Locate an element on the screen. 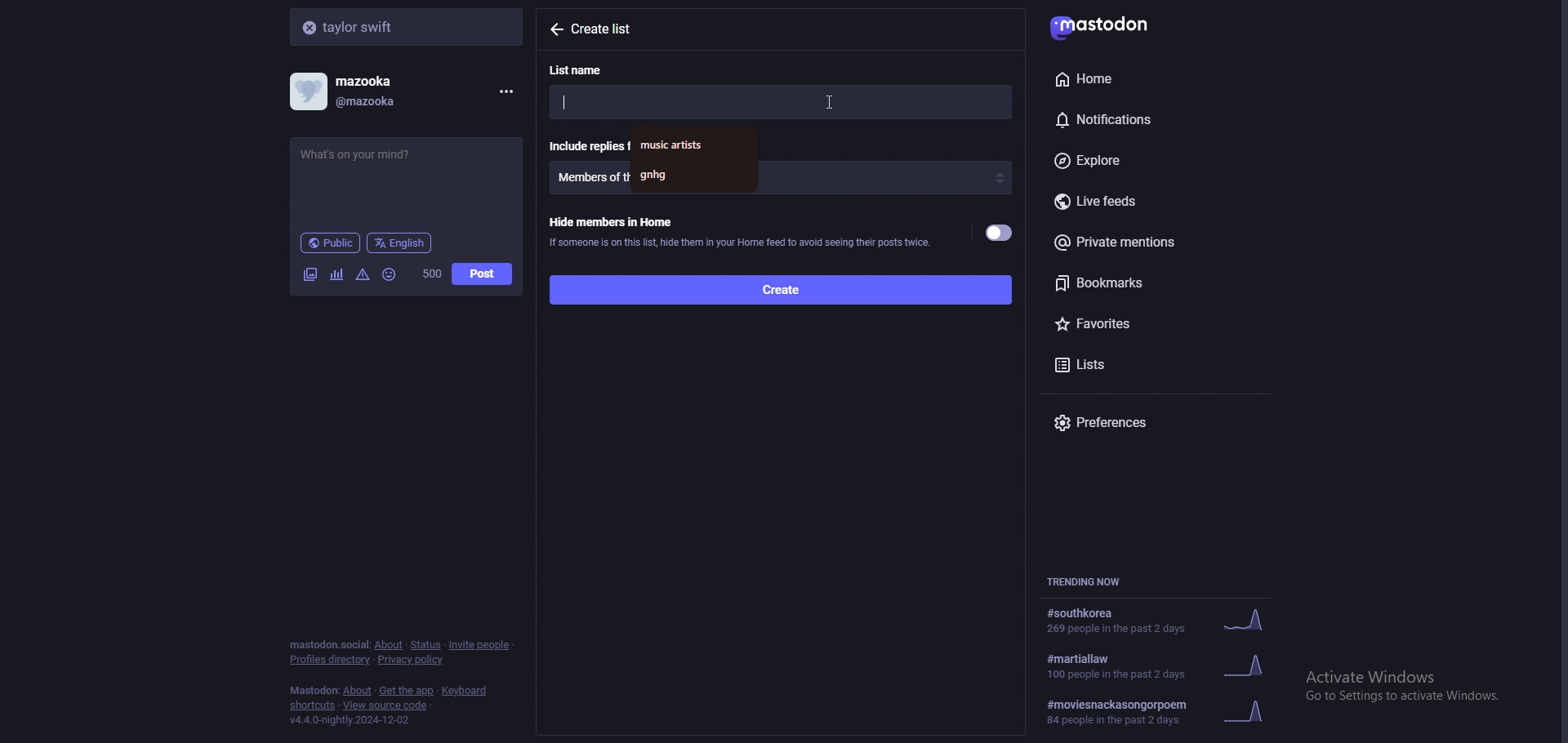 This screenshot has width=1568, height=743. version is located at coordinates (349, 720).